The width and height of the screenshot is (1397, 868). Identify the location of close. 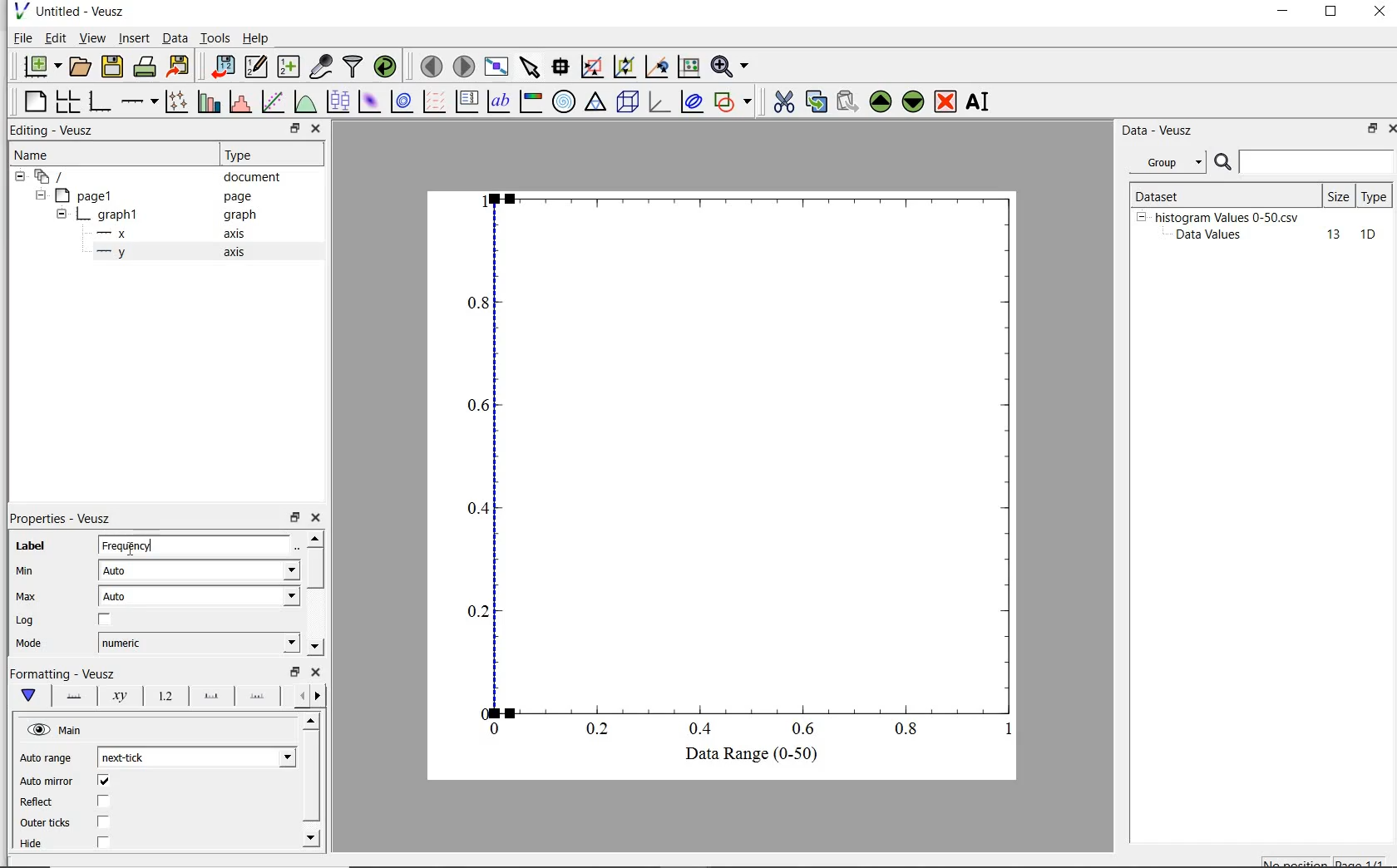
(1389, 131).